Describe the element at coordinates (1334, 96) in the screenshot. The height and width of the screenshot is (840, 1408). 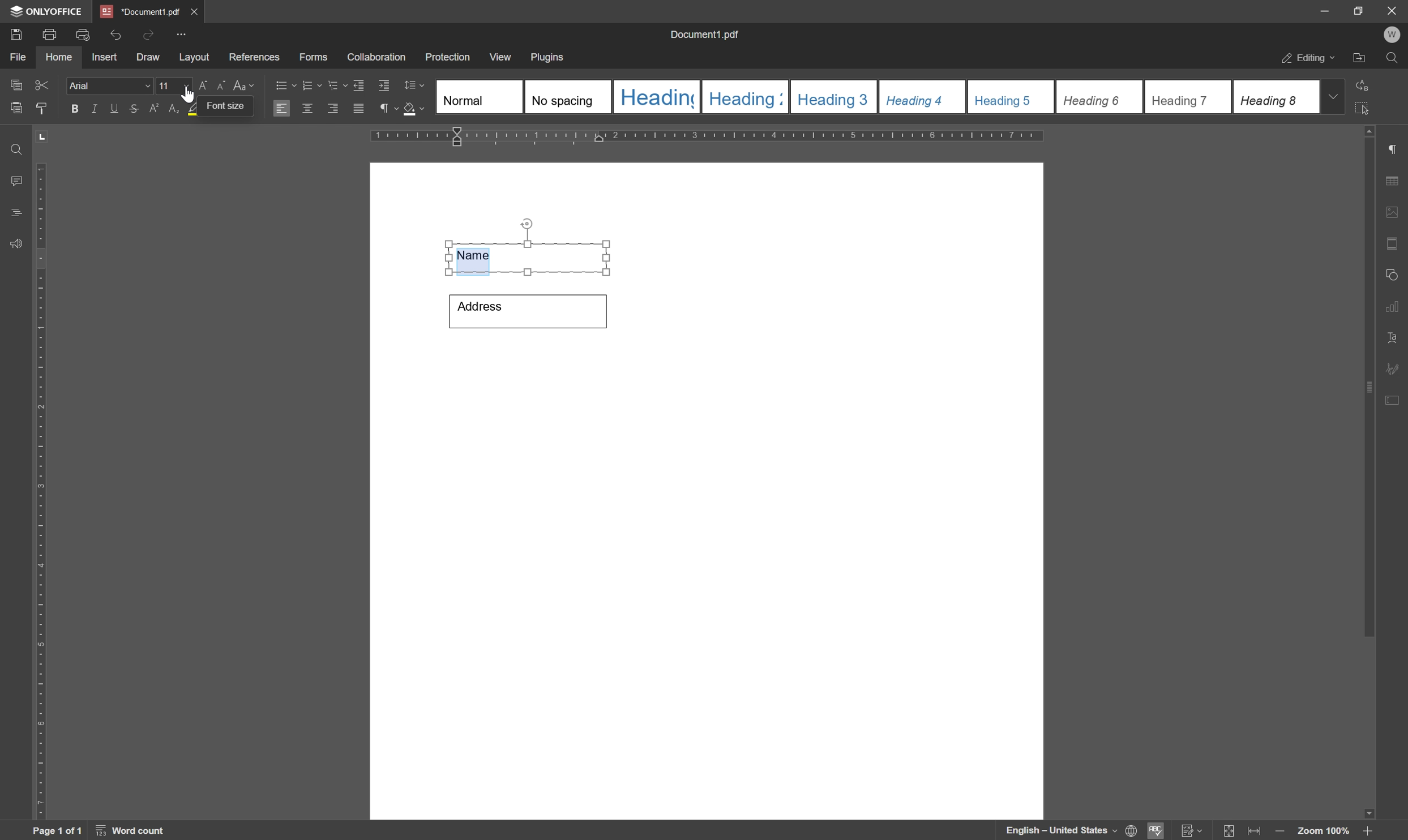
I see `drop down` at that location.